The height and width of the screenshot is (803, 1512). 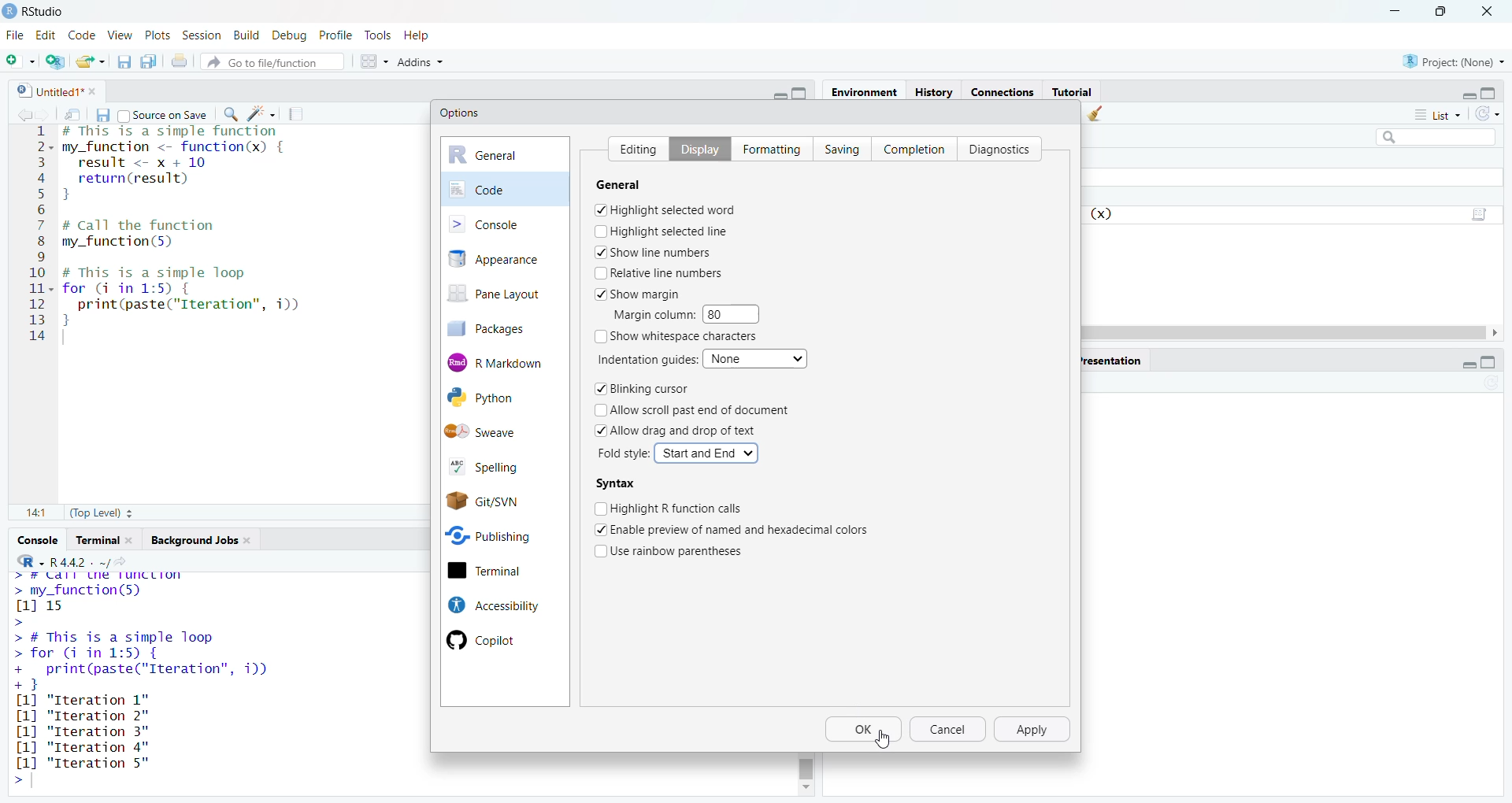 I want to click on connections, so click(x=1001, y=90).